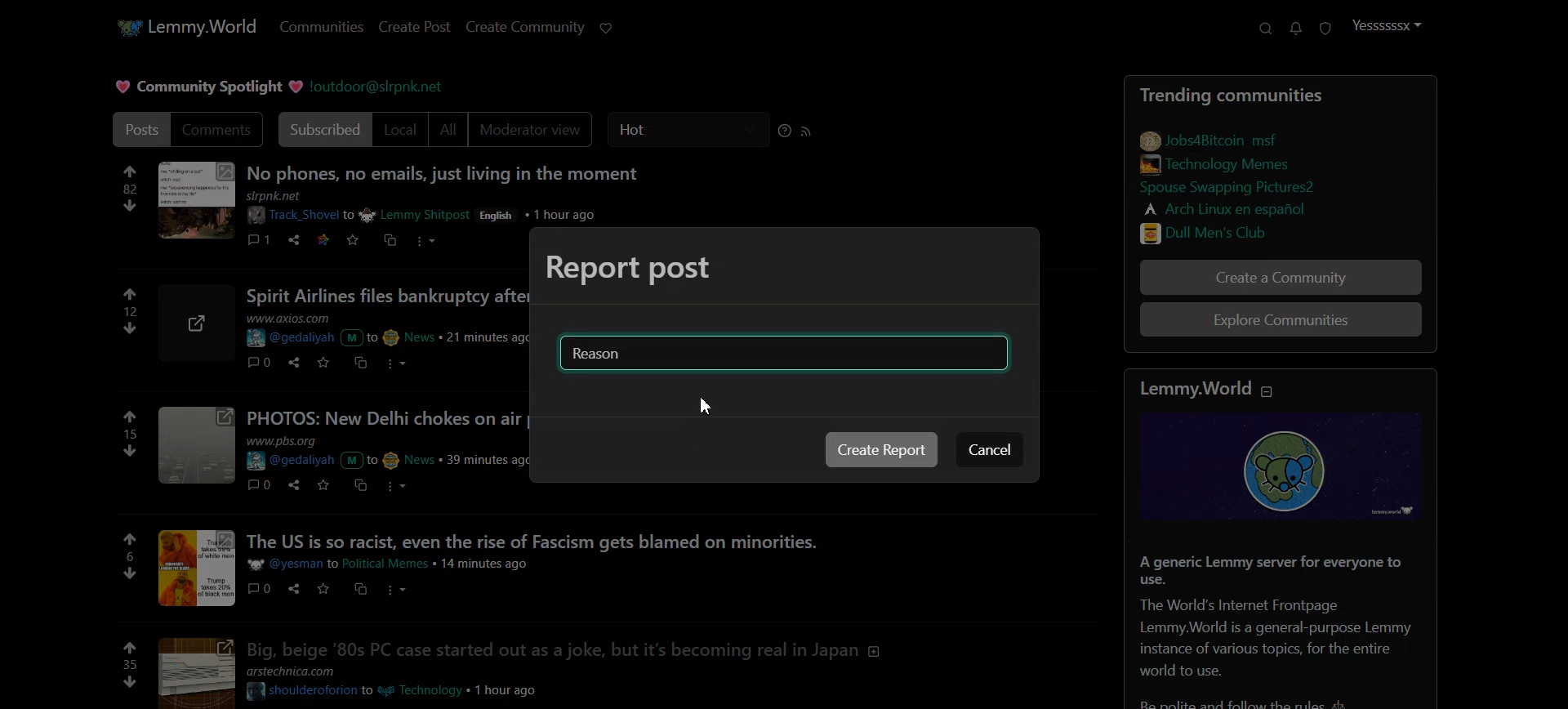  What do you see at coordinates (362, 588) in the screenshot?
I see `cross post` at bounding box center [362, 588].